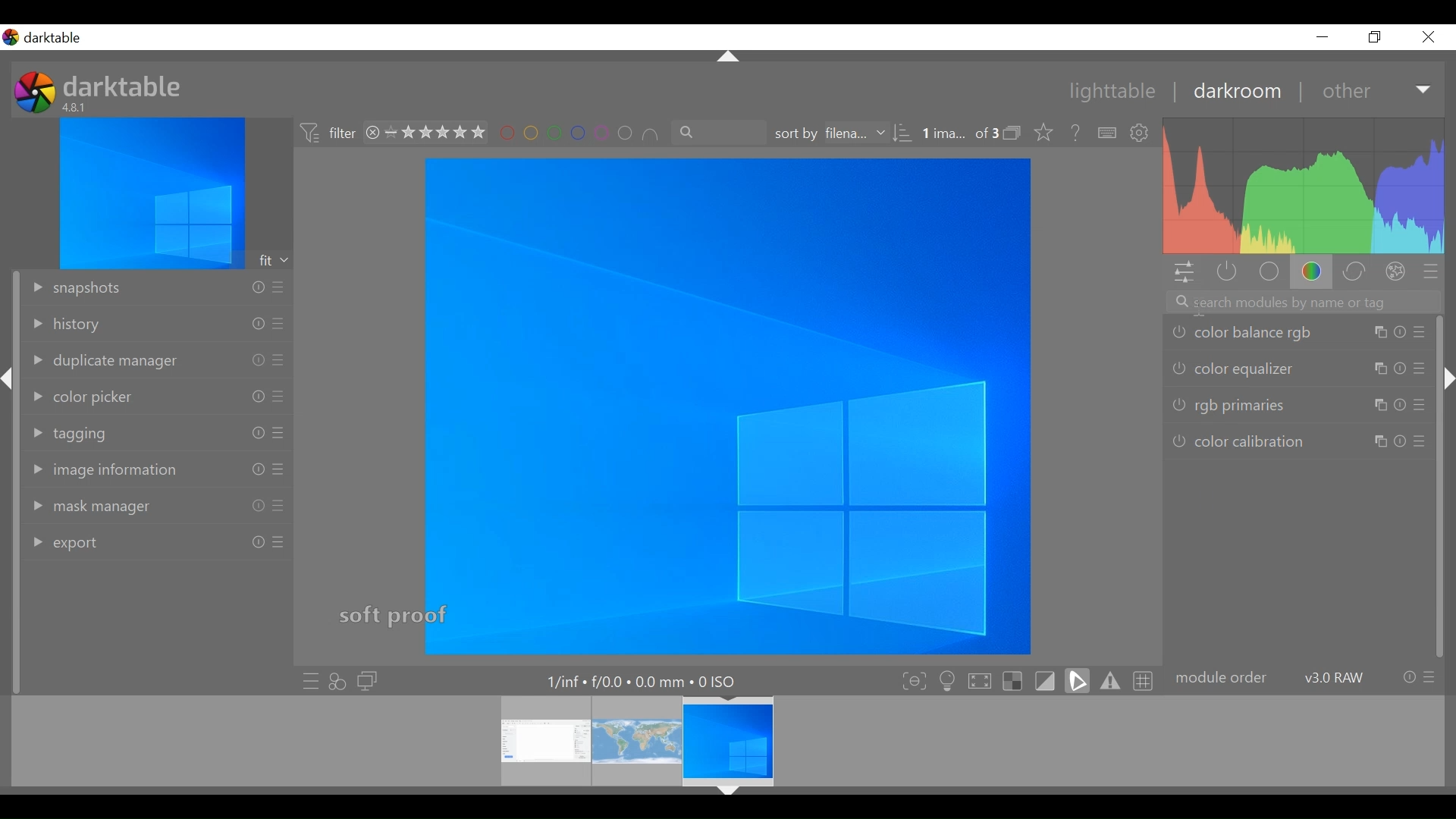 This screenshot has height=819, width=1456. Describe the element at coordinates (1379, 369) in the screenshot. I see `` at that location.